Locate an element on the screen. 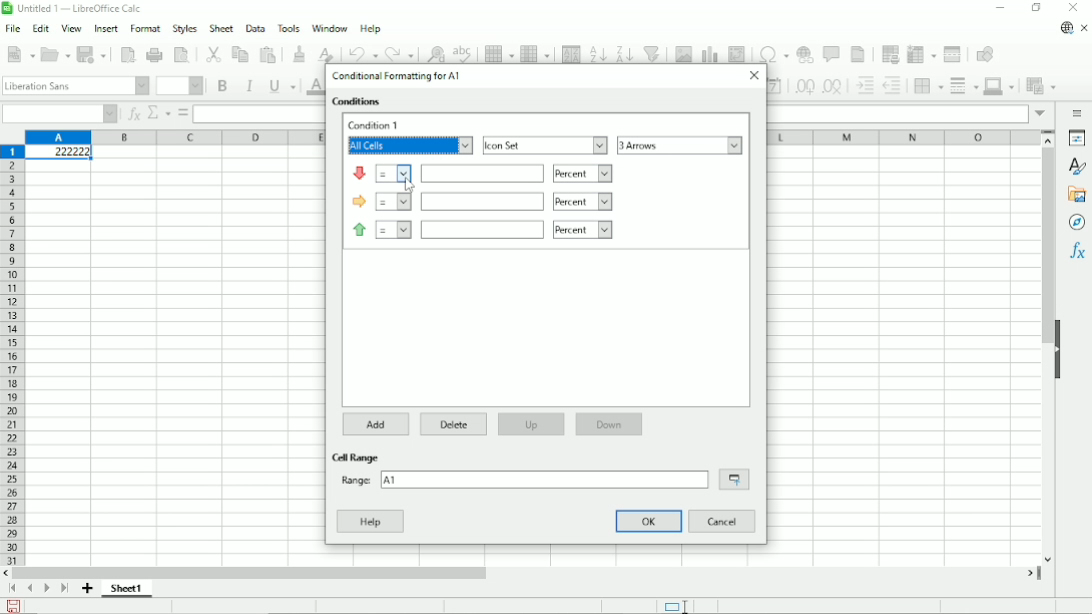  Define print area is located at coordinates (888, 52).